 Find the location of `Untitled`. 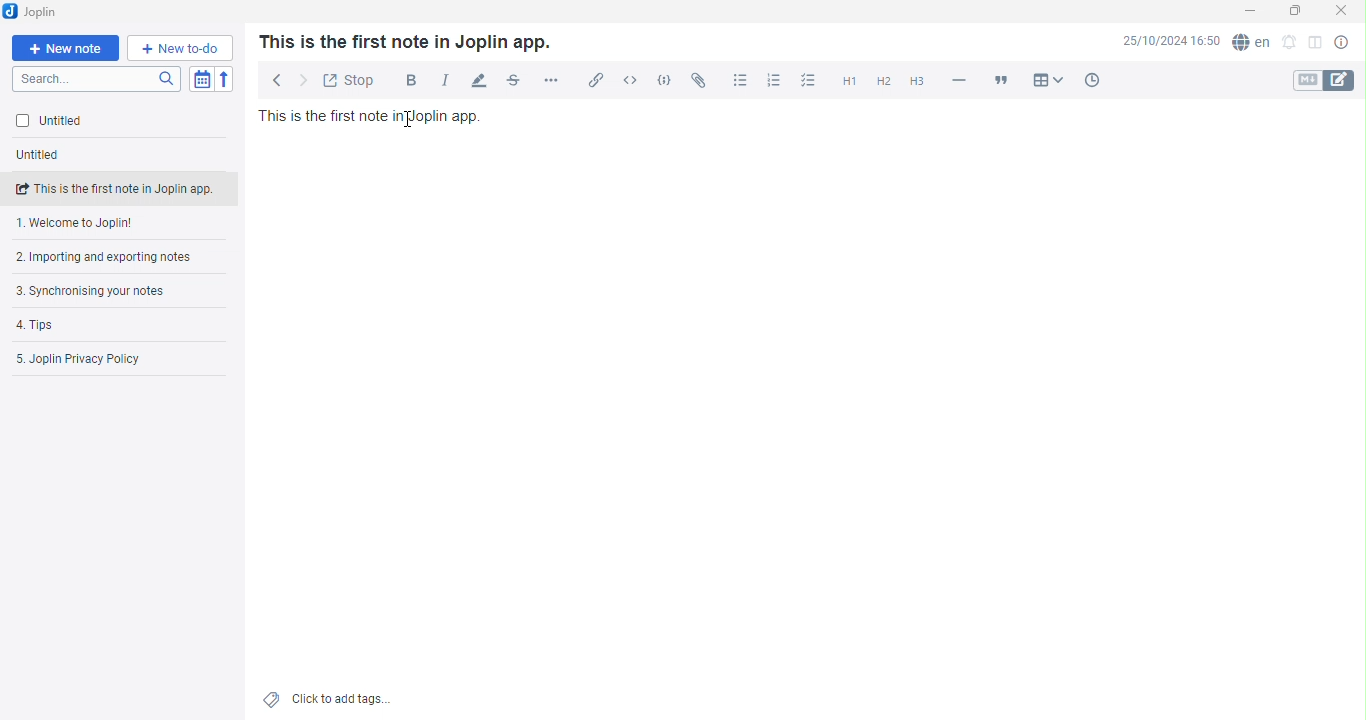

Untitled is located at coordinates (94, 122).